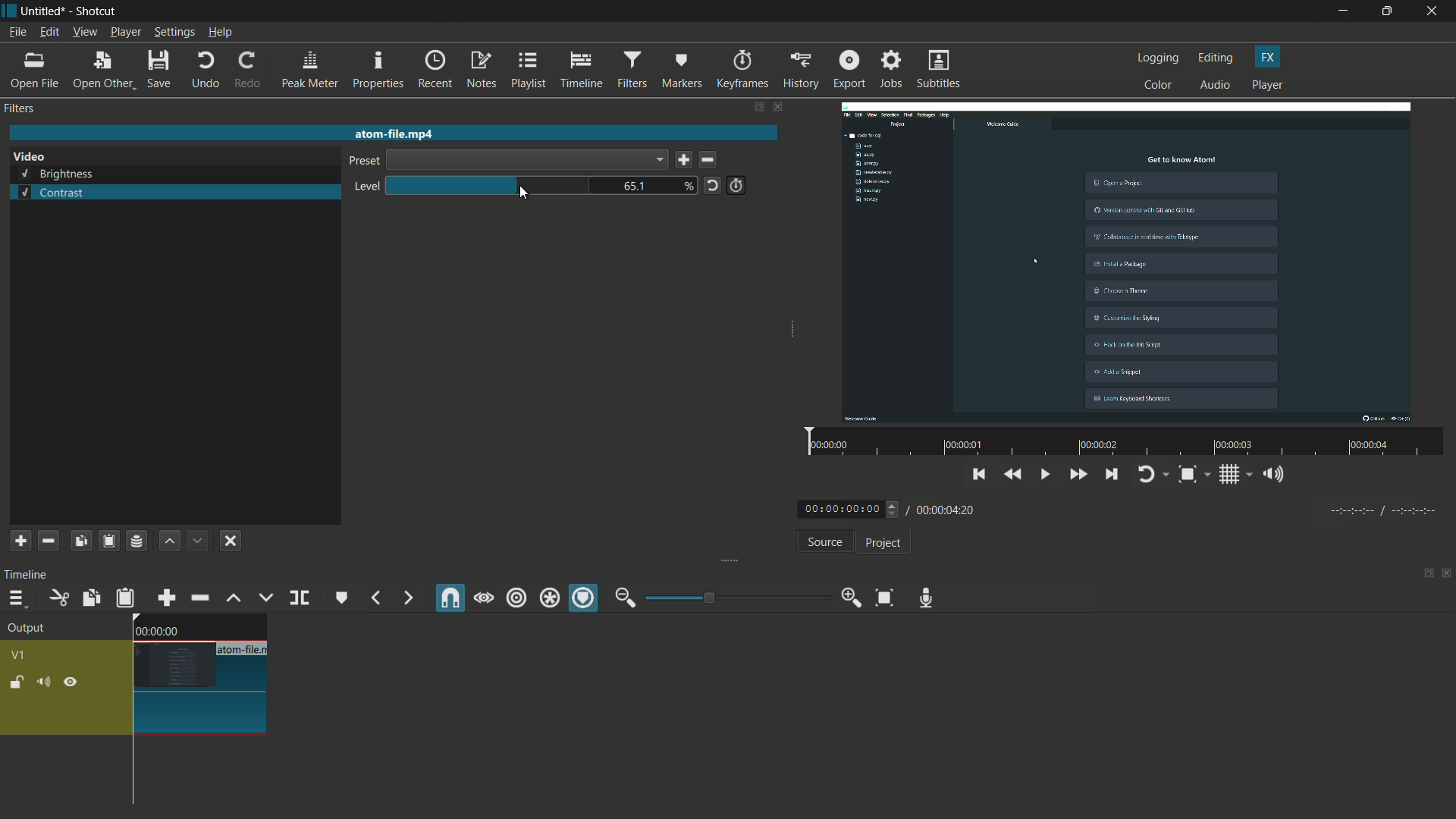  What do you see at coordinates (922, 598) in the screenshot?
I see `record audio` at bounding box center [922, 598].